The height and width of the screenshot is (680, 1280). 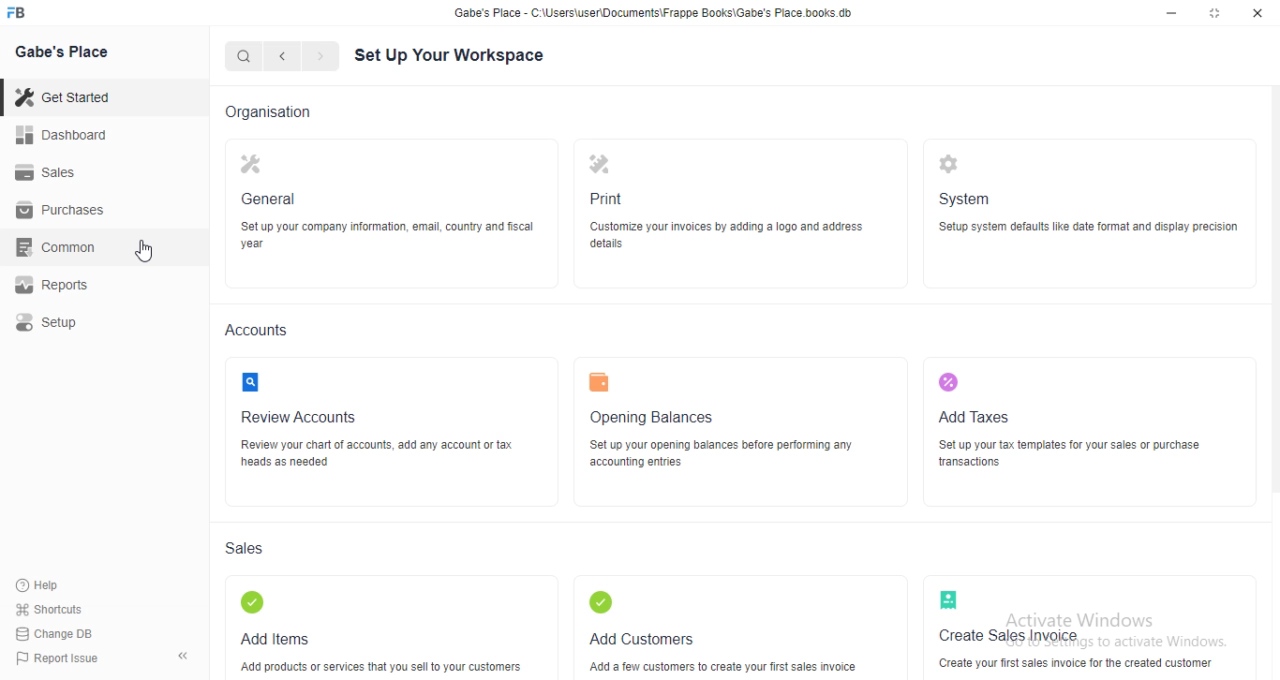 What do you see at coordinates (379, 455) in the screenshot?
I see `Review your chart of accounts, add any account or tax
heads as needed.` at bounding box center [379, 455].